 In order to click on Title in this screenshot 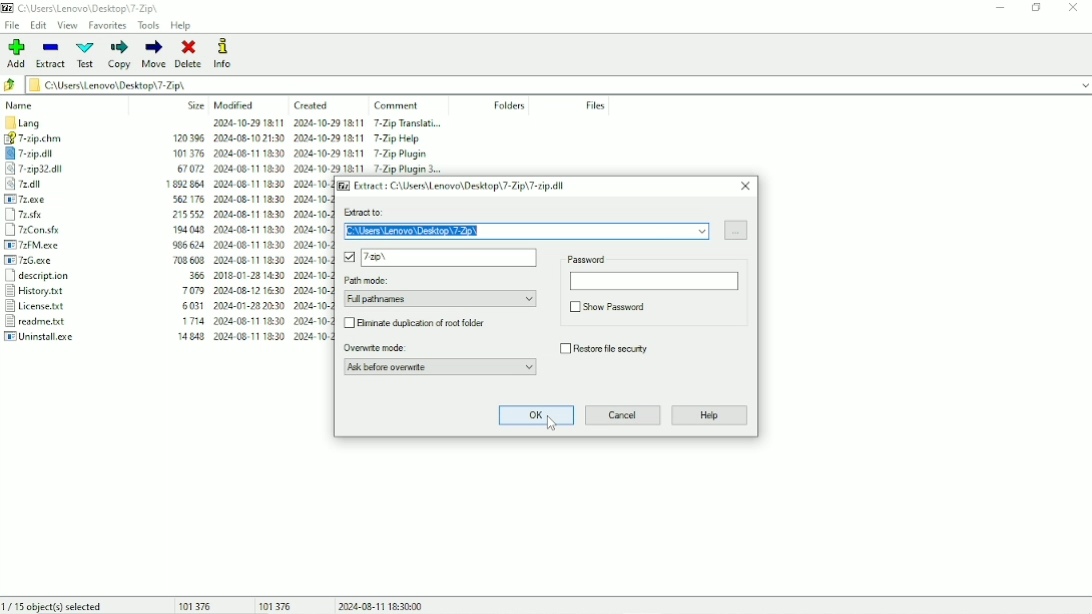, I will do `click(85, 8)`.